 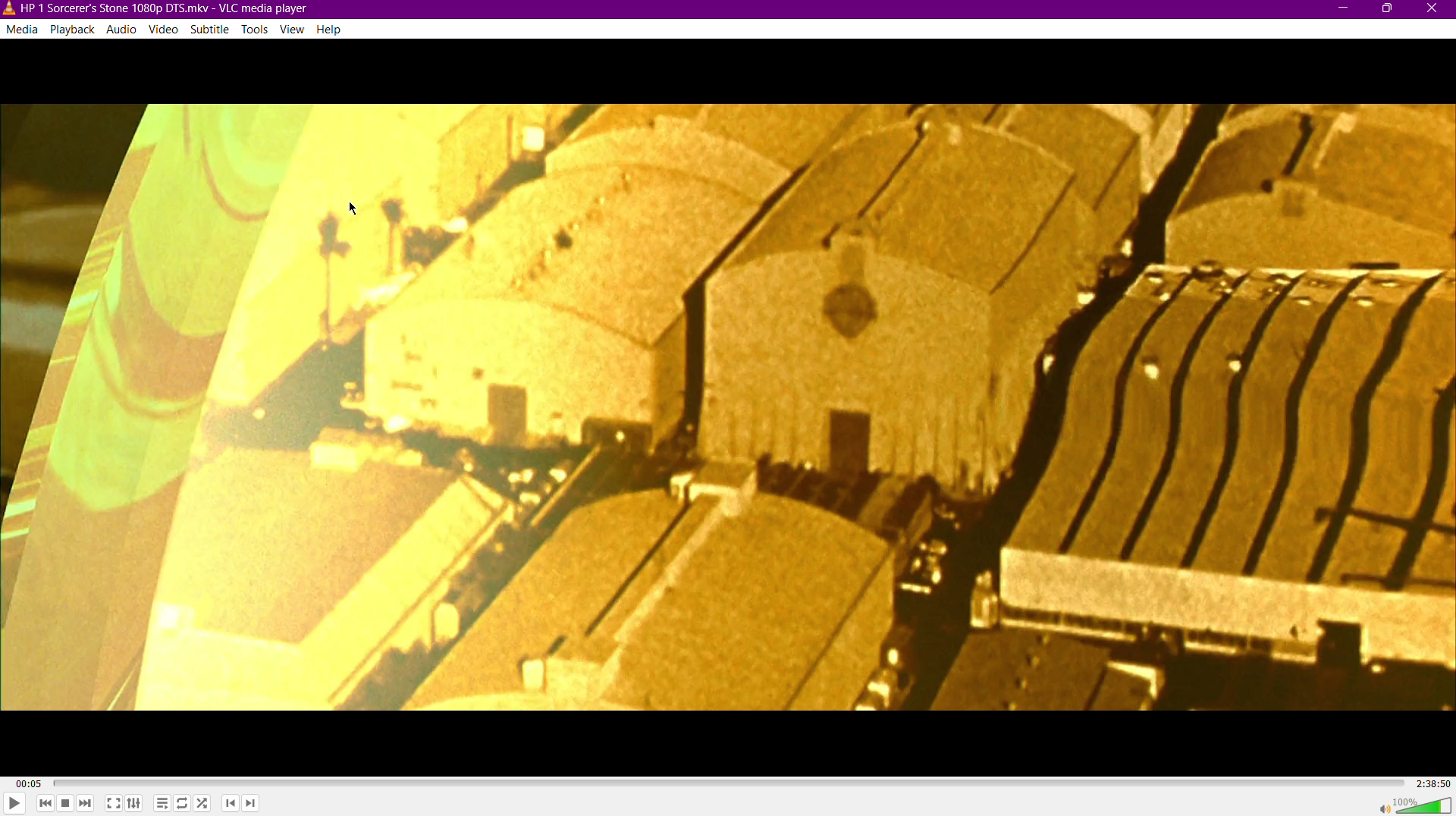 What do you see at coordinates (67, 804) in the screenshot?
I see `Stop` at bounding box center [67, 804].